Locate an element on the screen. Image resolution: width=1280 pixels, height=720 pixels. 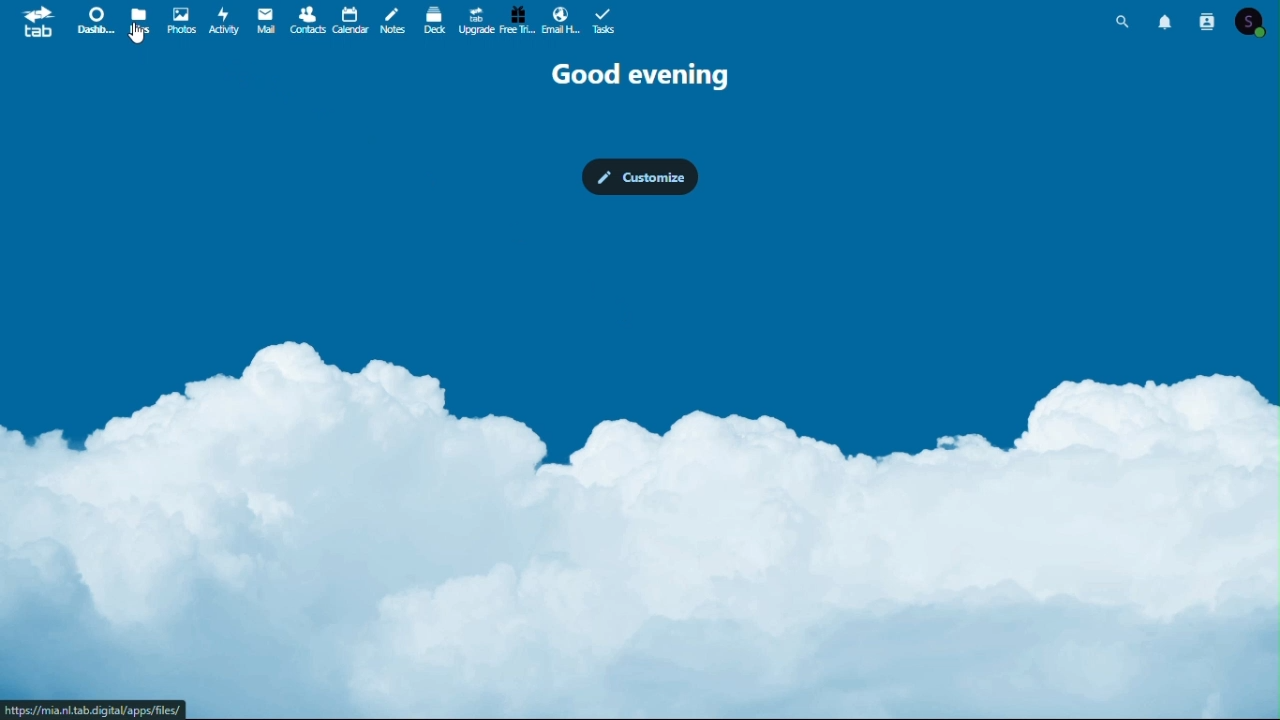
email hosting is located at coordinates (559, 19).